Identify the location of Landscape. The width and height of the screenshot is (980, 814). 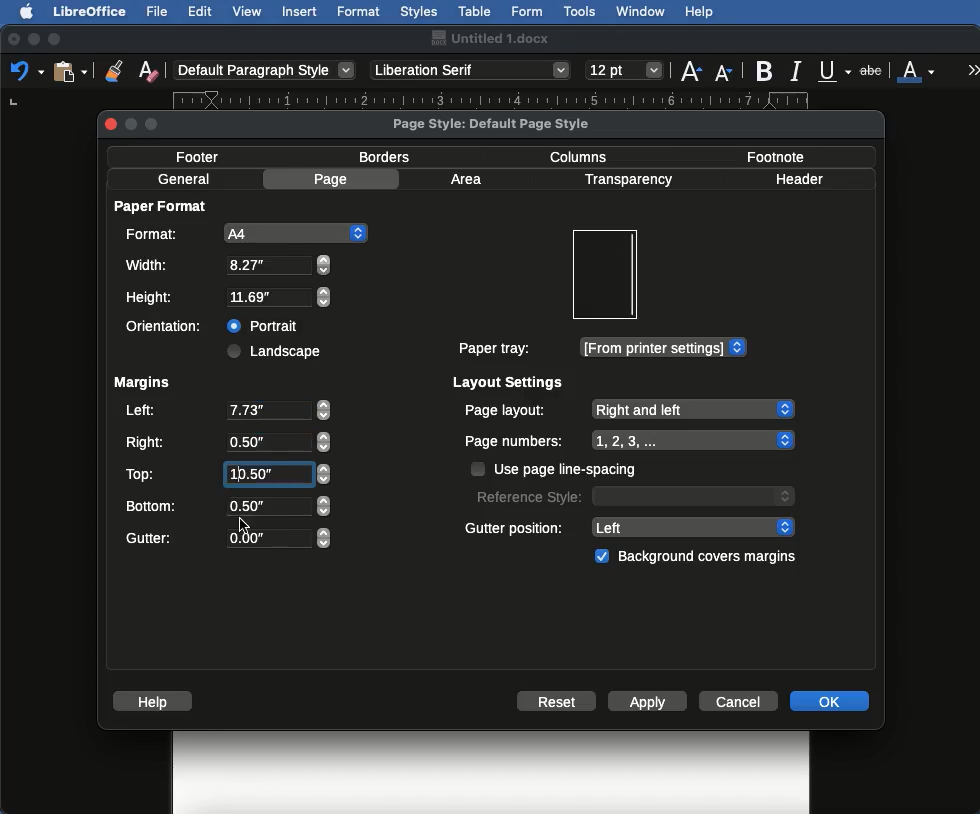
(277, 351).